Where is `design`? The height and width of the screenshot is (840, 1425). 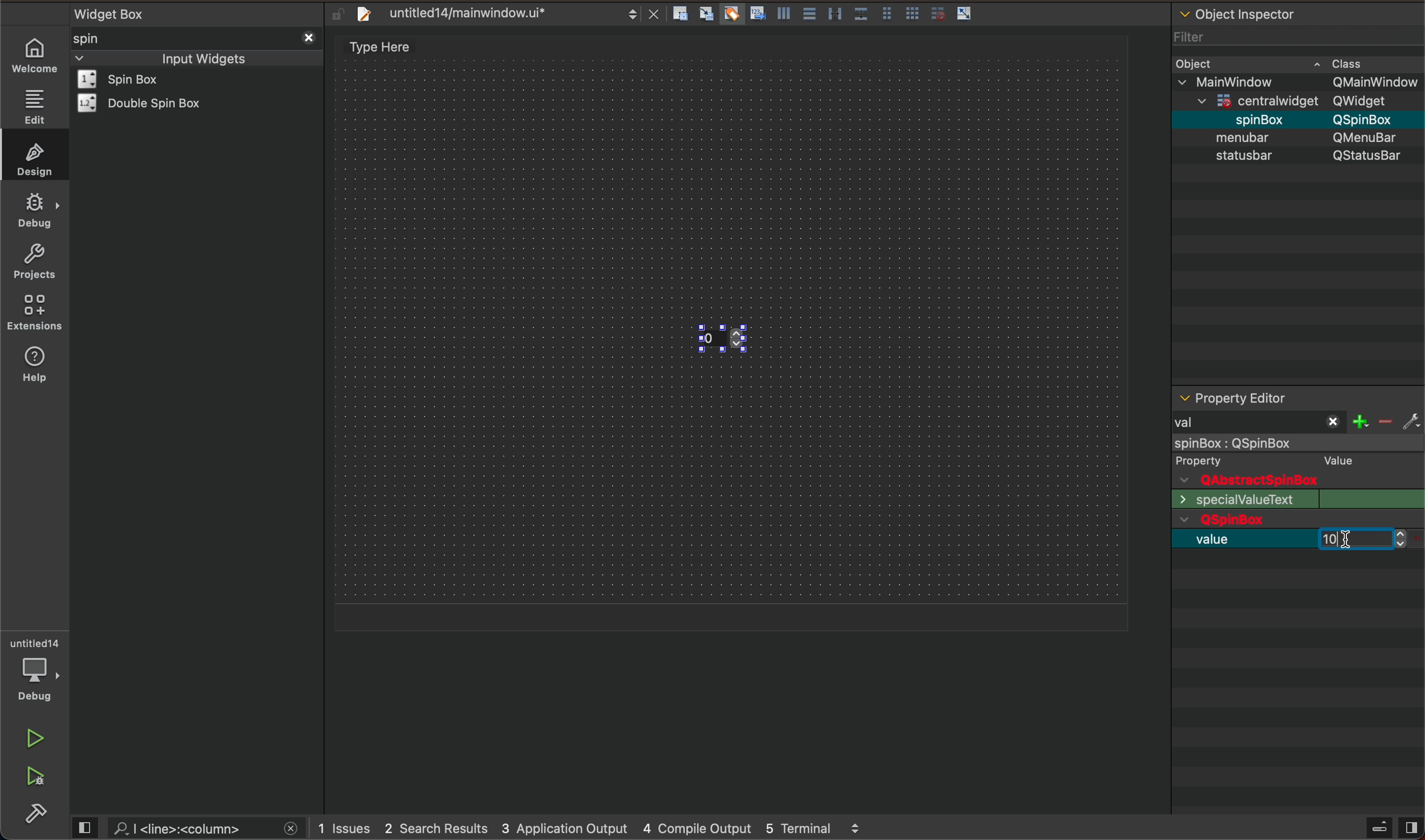 design is located at coordinates (32, 157).